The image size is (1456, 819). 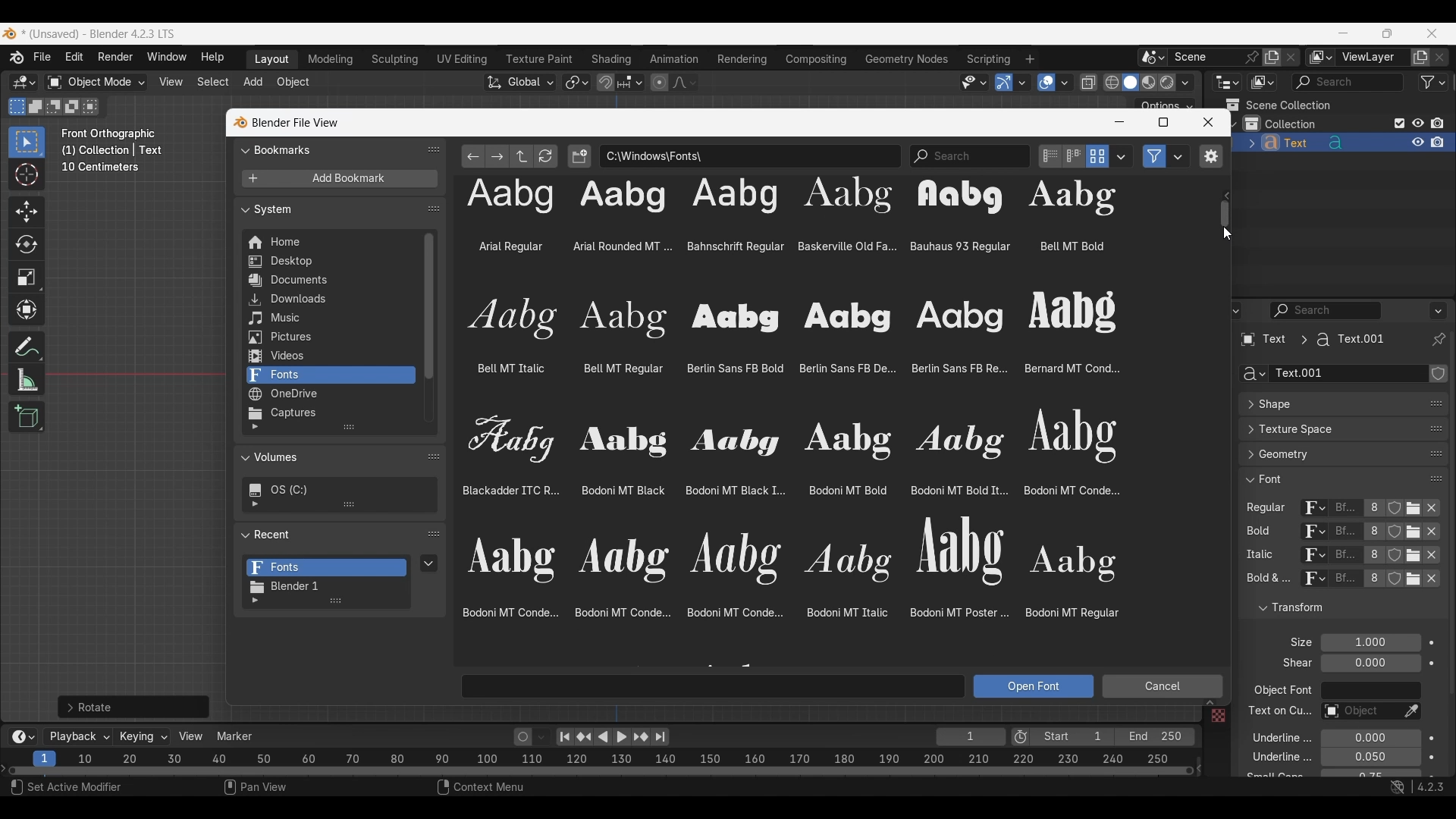 What do you see at coordinates (397, 59) in the screenshot?
I see `Sculpting workspace` at bounding box center [397, 59].